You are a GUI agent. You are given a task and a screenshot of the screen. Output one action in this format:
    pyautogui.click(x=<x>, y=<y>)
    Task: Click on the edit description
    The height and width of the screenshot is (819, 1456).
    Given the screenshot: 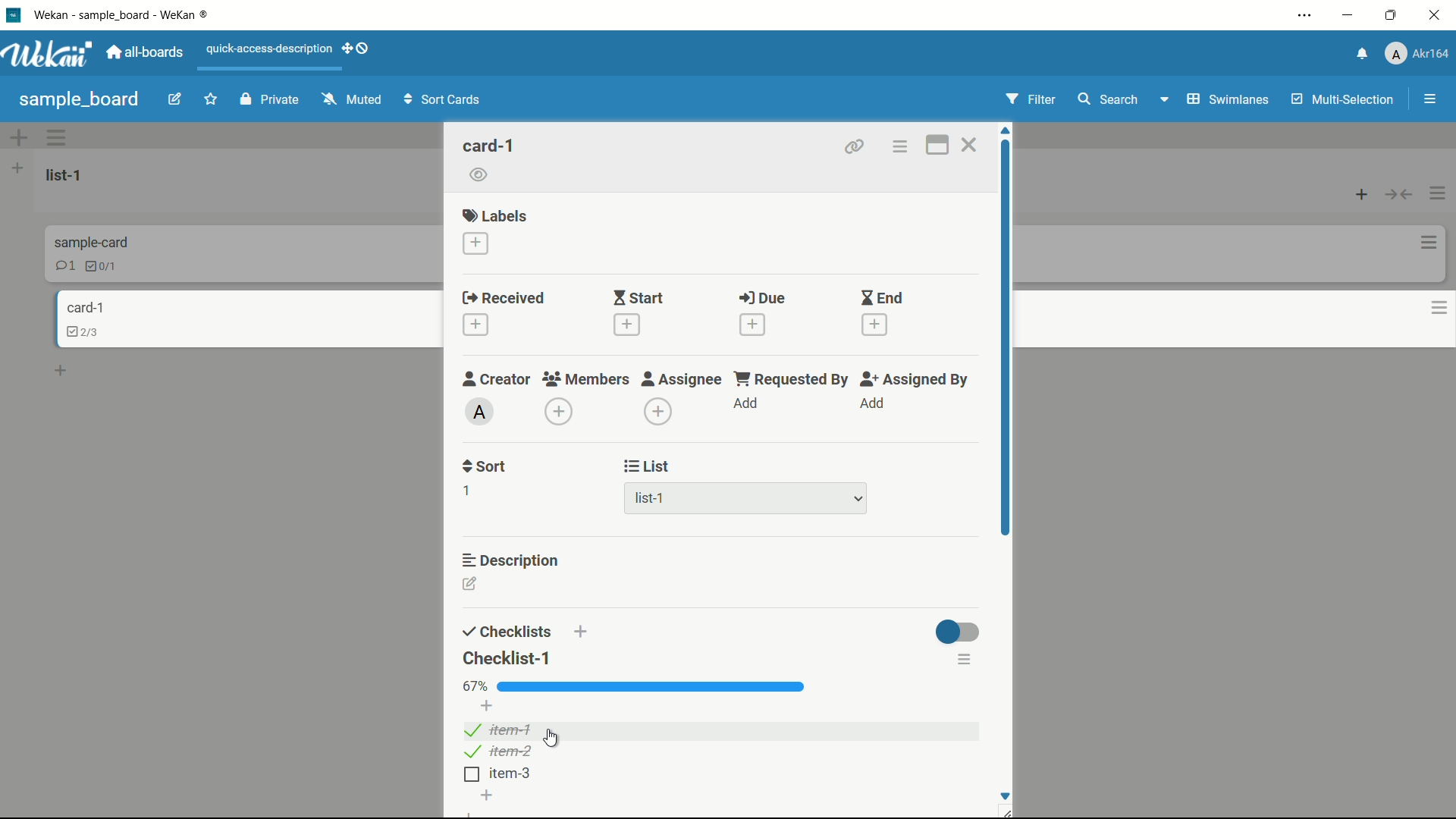 What is the action you would take?
    pyautogui.click(x=469, y=582)
    